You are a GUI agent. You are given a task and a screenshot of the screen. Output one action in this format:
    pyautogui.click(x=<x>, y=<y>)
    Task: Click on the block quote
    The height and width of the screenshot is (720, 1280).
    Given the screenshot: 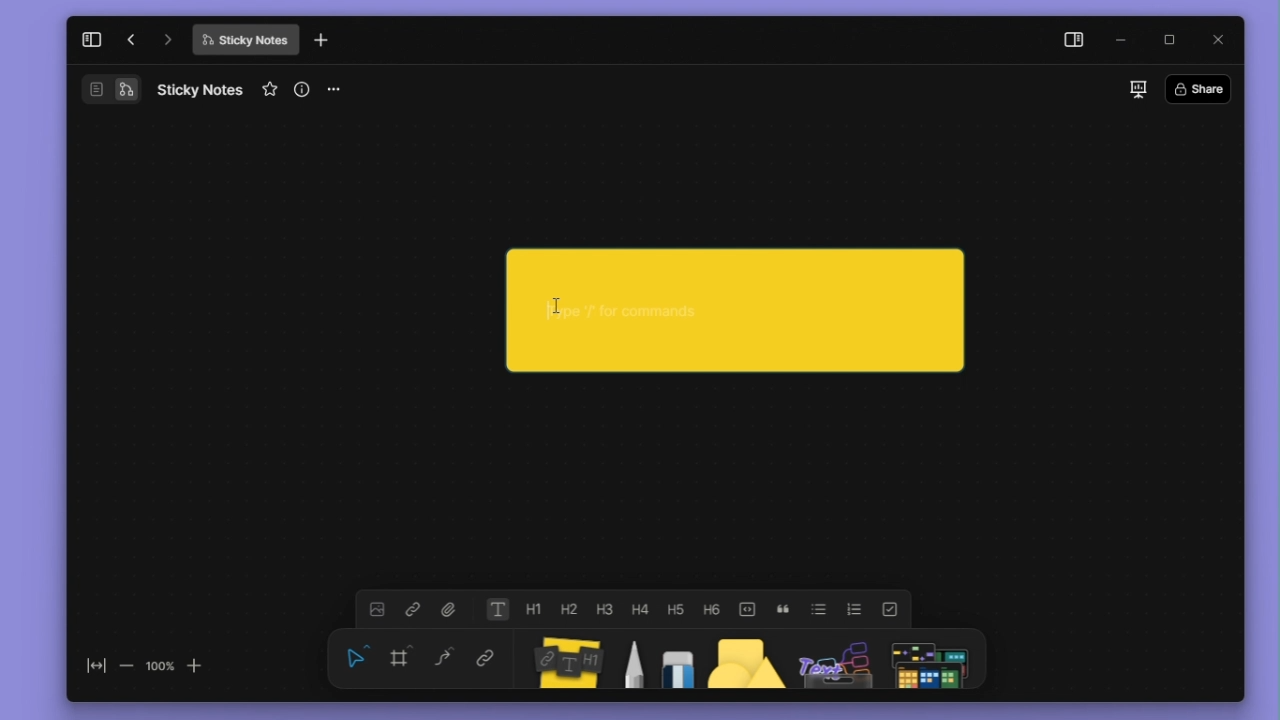 What is the action you would take?
    pyautogui.click(x=786, y=611)
    